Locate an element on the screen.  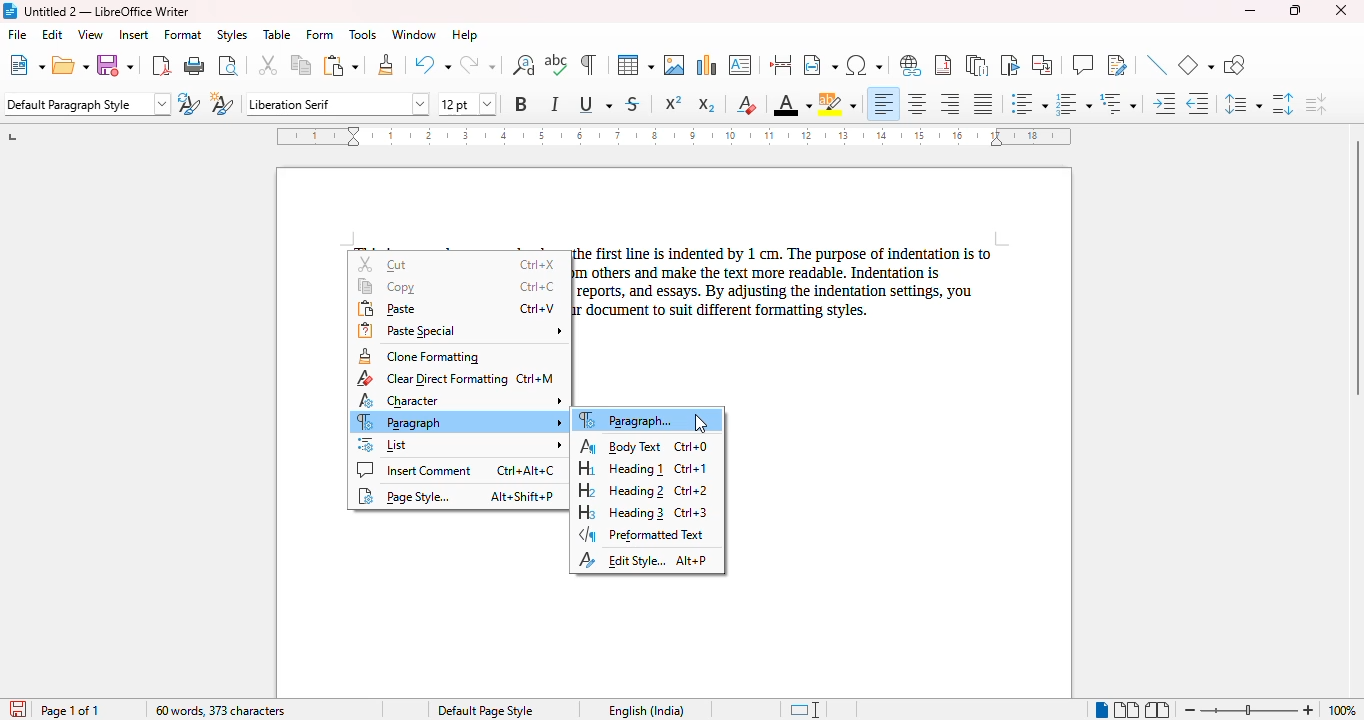
export directly as PDF is located at coordinates (160, 65).